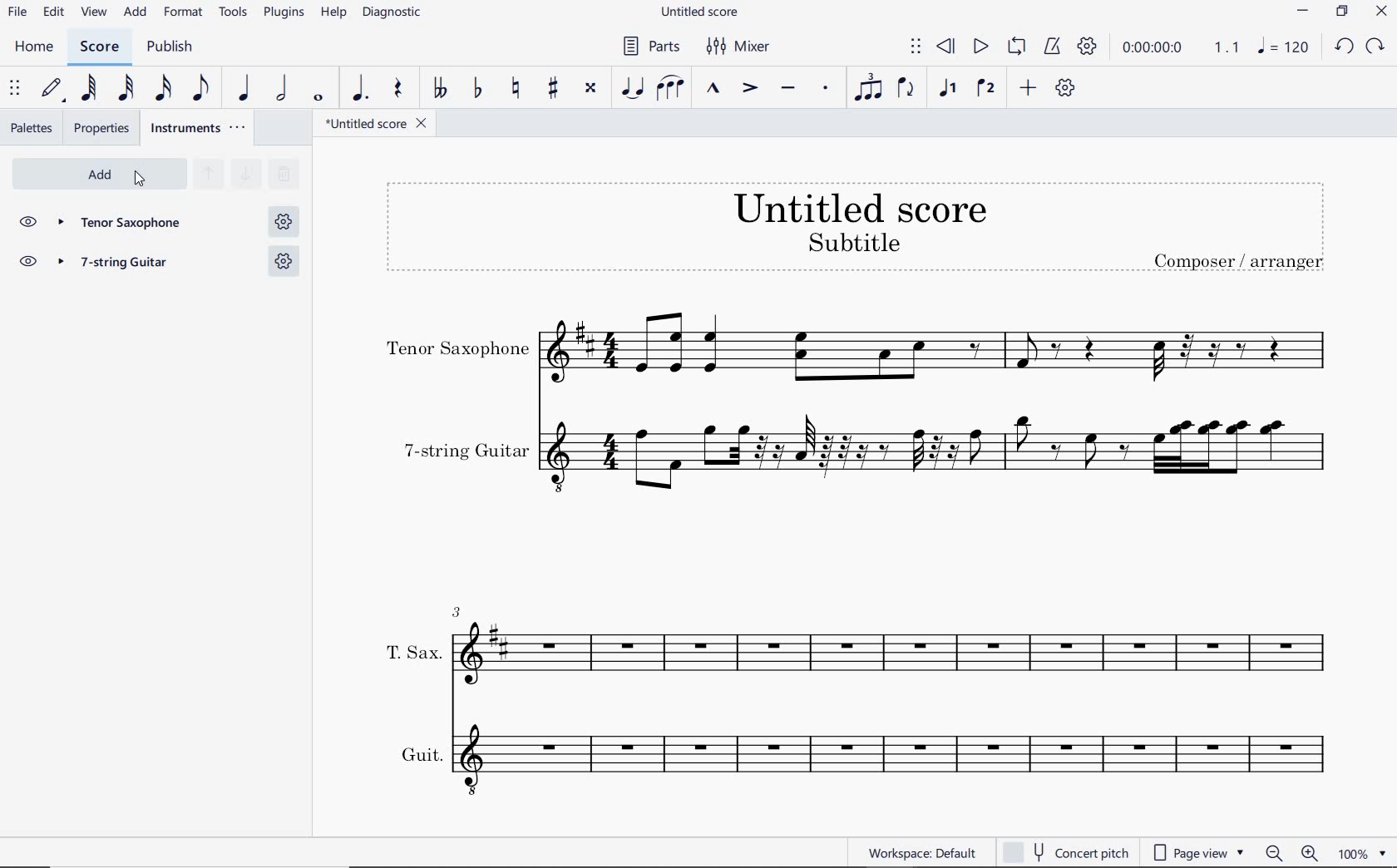  I want to click on 16TH NOTE, so click(165, 87).